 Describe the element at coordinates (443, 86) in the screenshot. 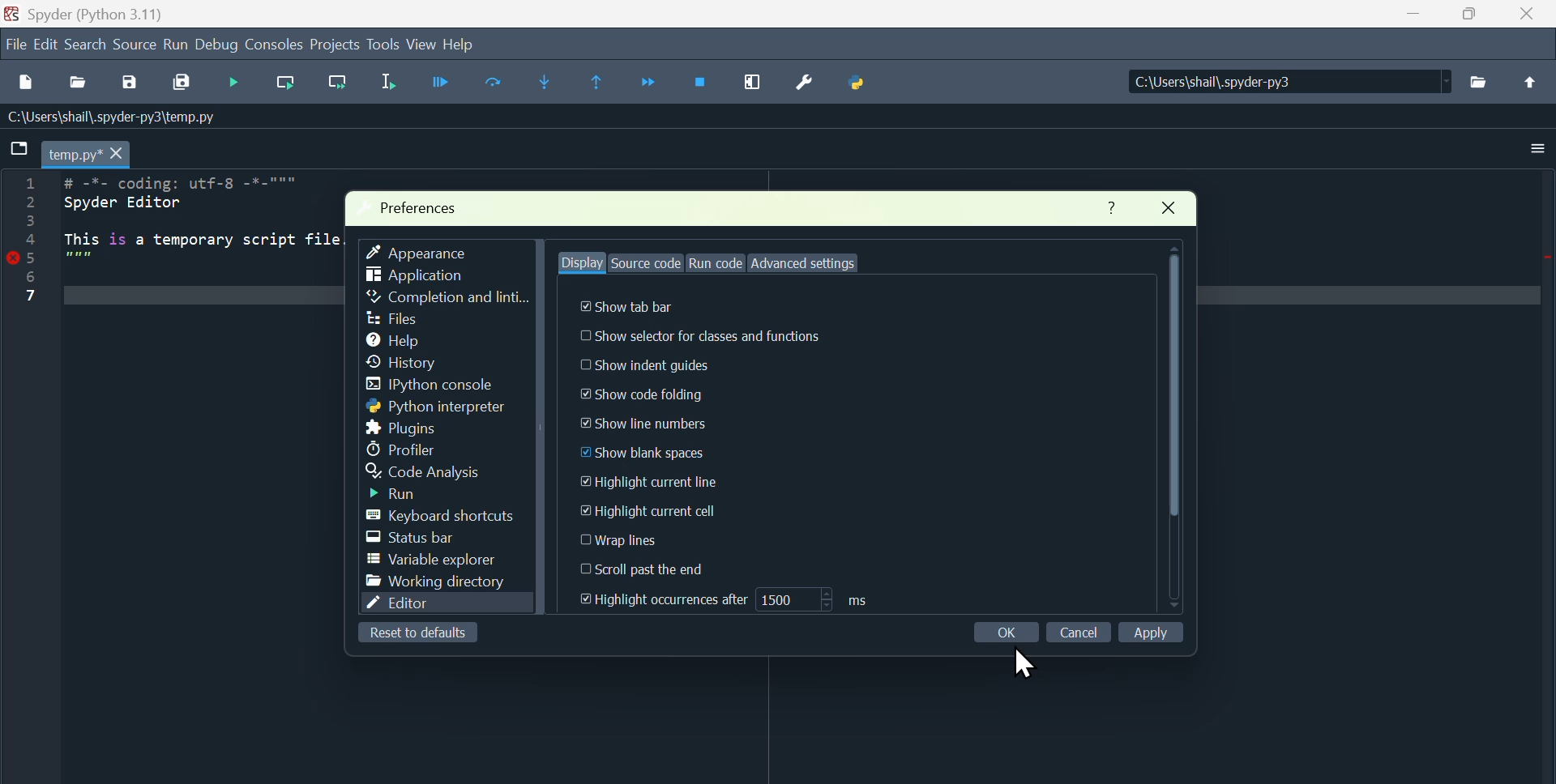

I see `Run file` at that location.